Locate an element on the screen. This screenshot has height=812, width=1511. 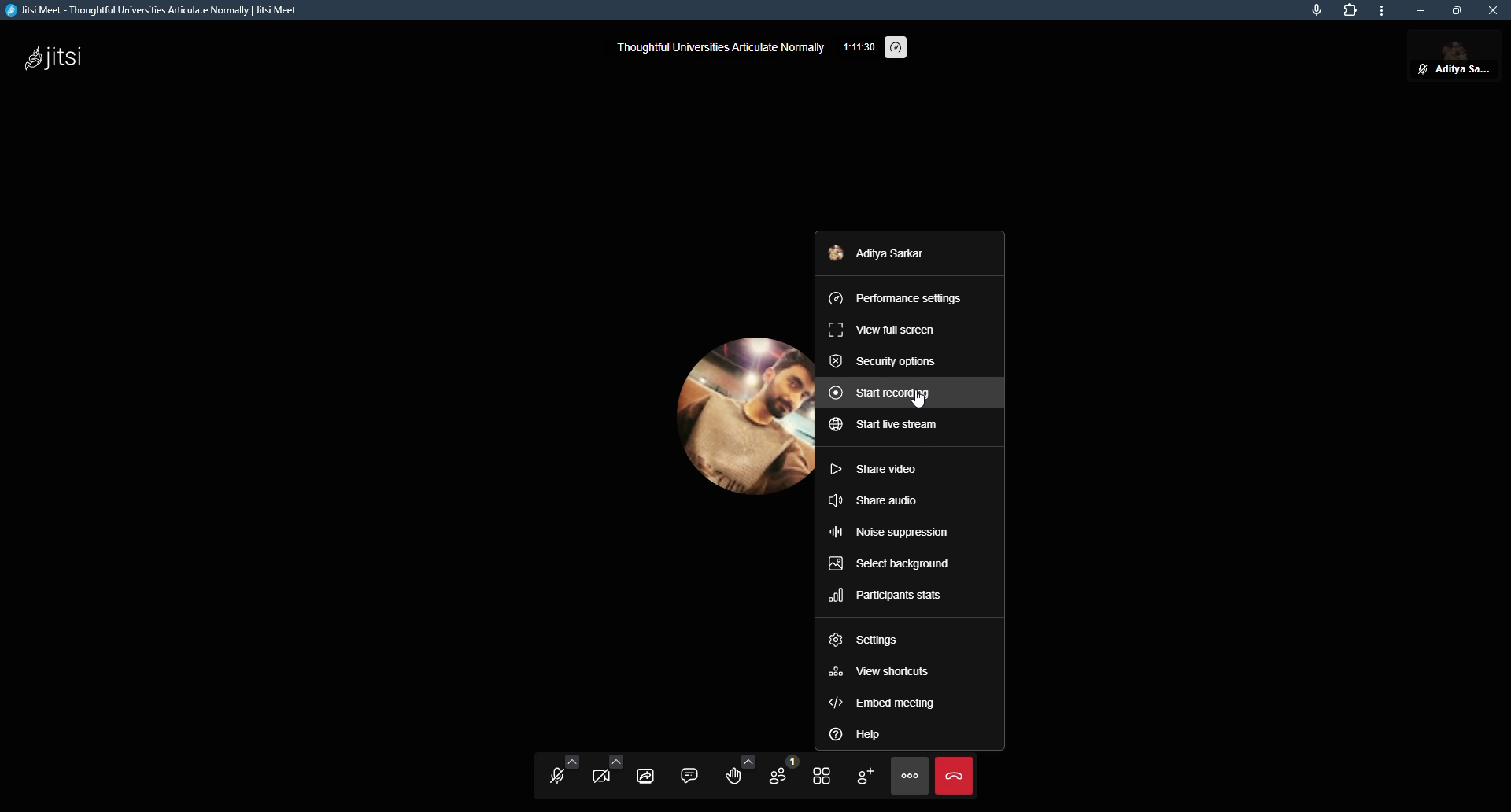
participants stats is located at coordinates (888, 595).